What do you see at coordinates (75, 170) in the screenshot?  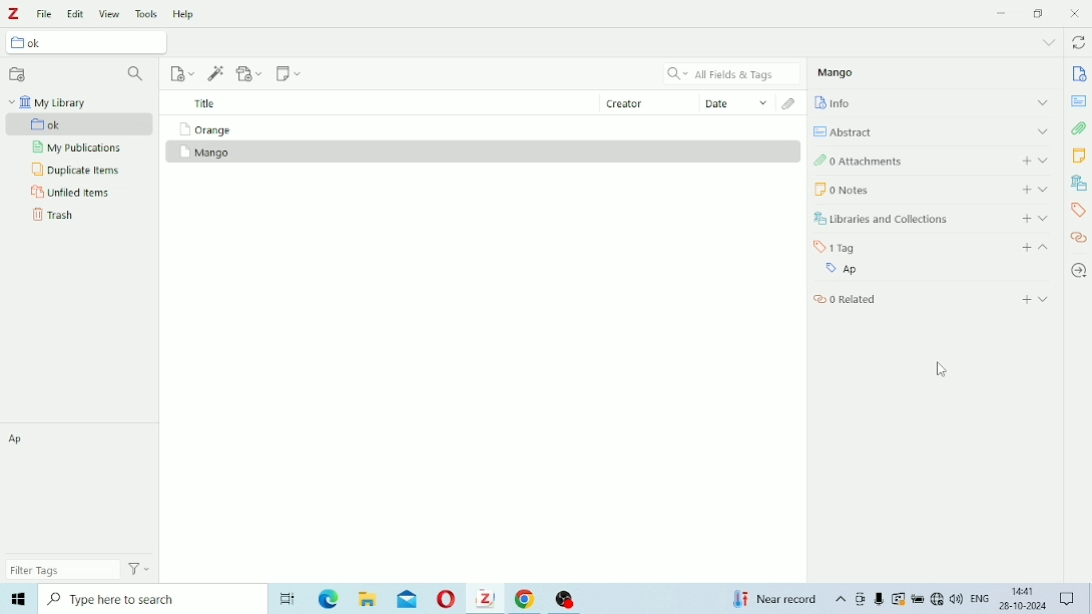 I see `Duplicate Items` at bounding box center [75, 170].